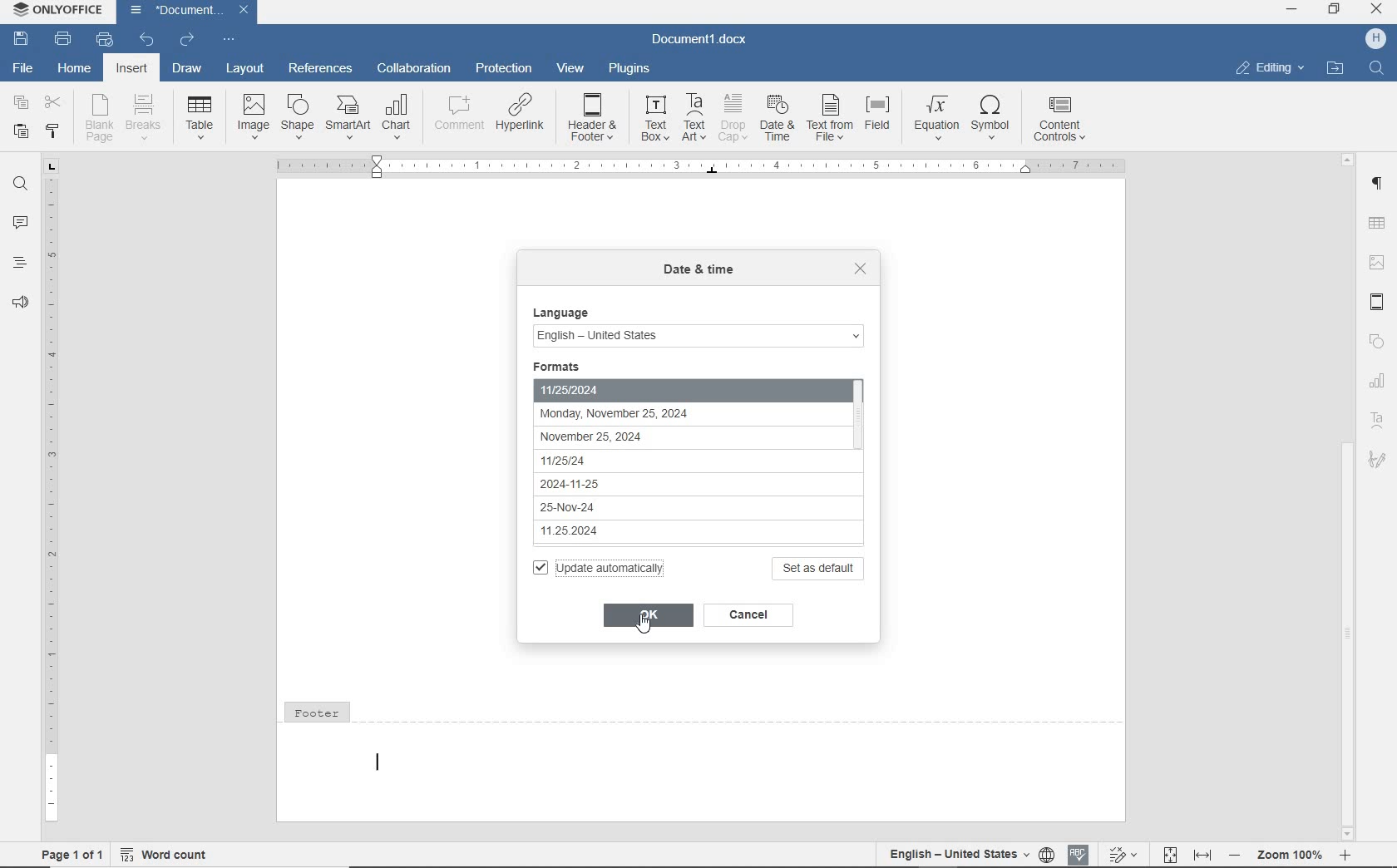  I want to click on equation, so click(937, 116).